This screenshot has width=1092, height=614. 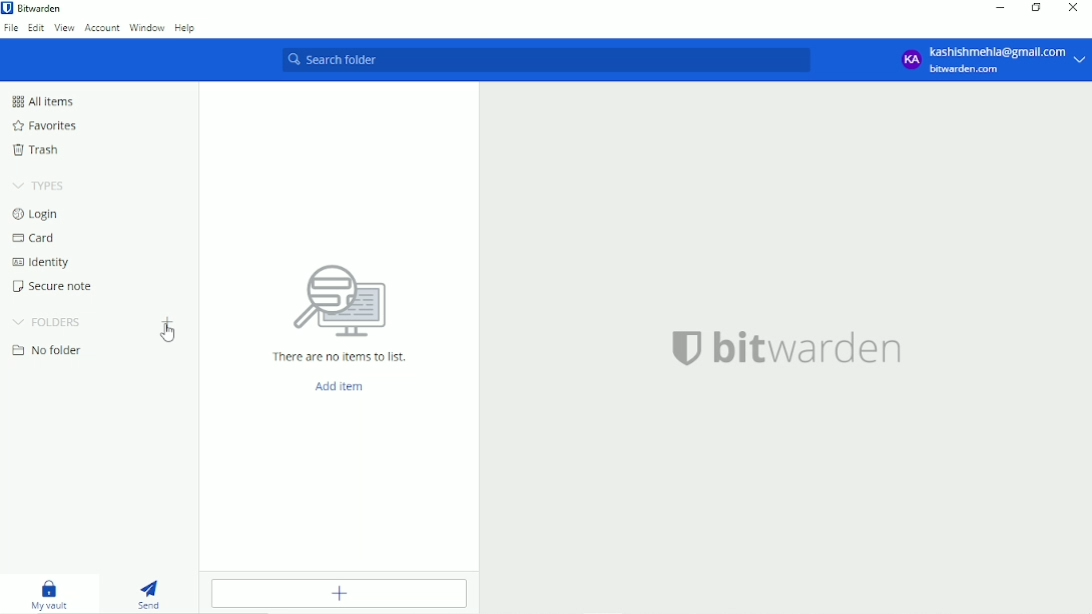 What do you see at coordinates (186, 29) in the screenshot?
I see `Help` at bounding box center [186, 29].